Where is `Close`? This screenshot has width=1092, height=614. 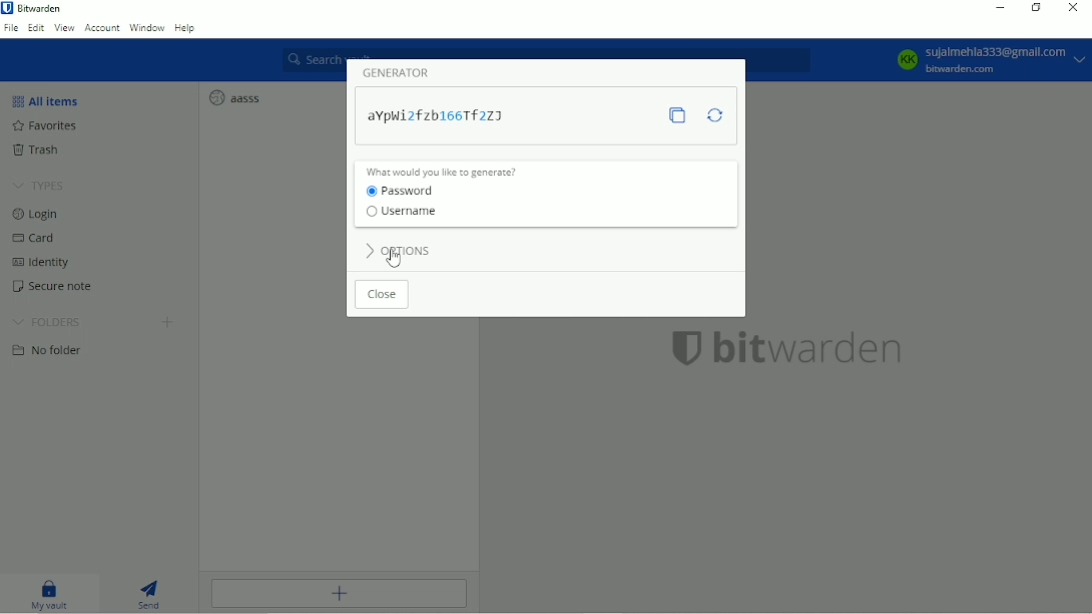 Close is located at coordinates (381, 296).